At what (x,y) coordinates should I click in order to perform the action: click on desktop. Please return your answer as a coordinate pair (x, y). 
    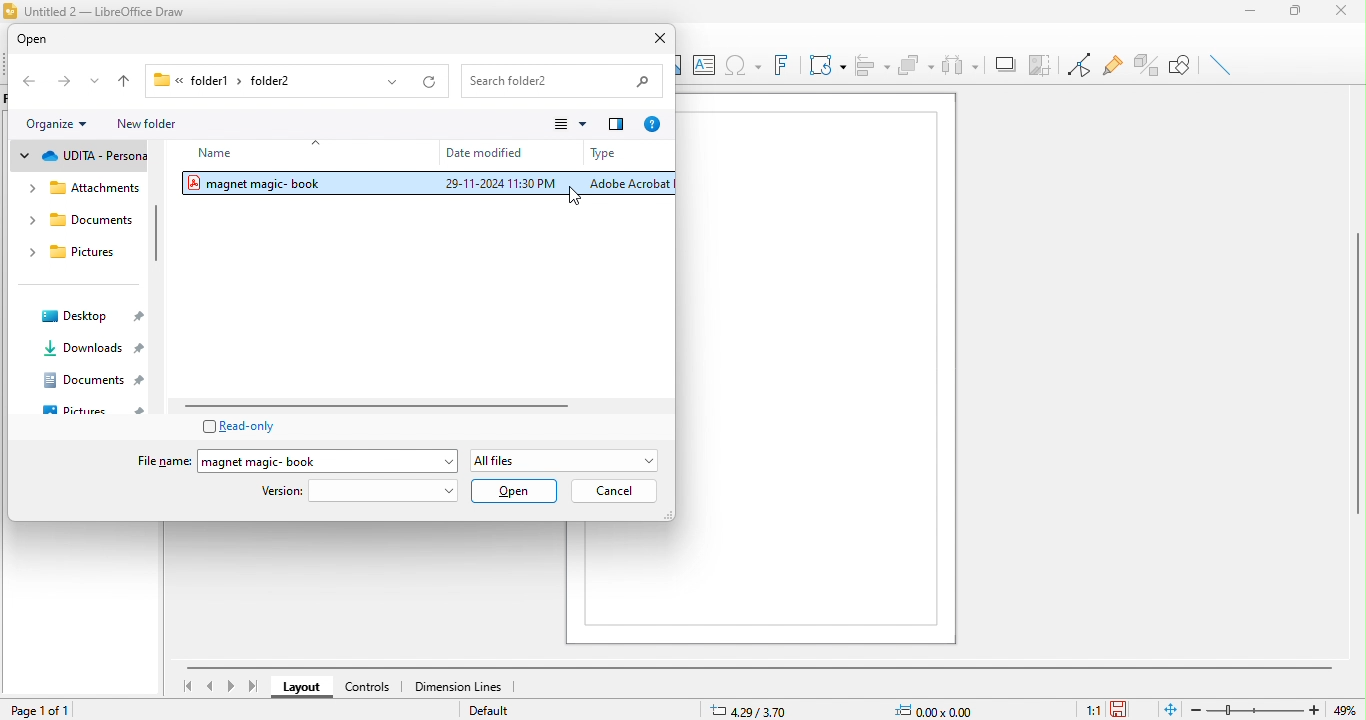
    Looking at the image, I should click on (92, 315).